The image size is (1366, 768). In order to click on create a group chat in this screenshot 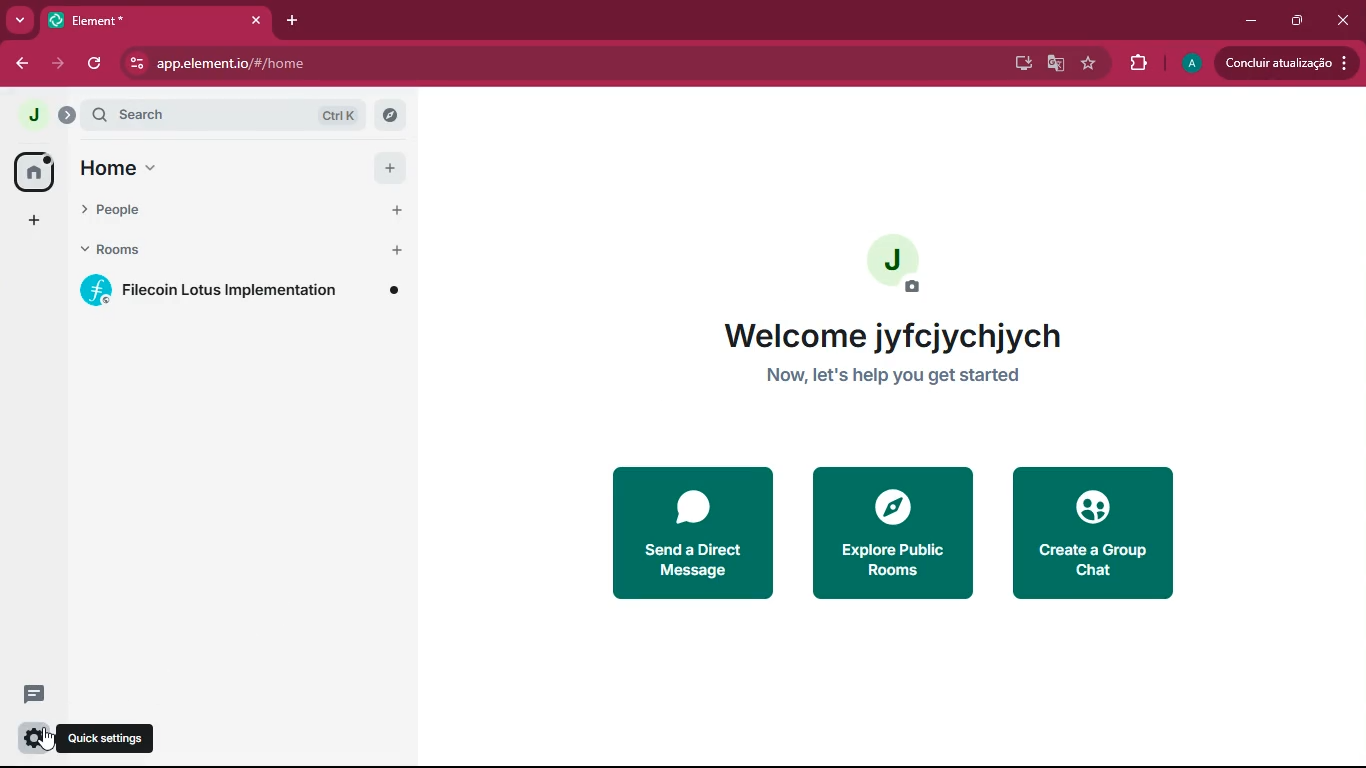, I will do `click(1088, 533)`.